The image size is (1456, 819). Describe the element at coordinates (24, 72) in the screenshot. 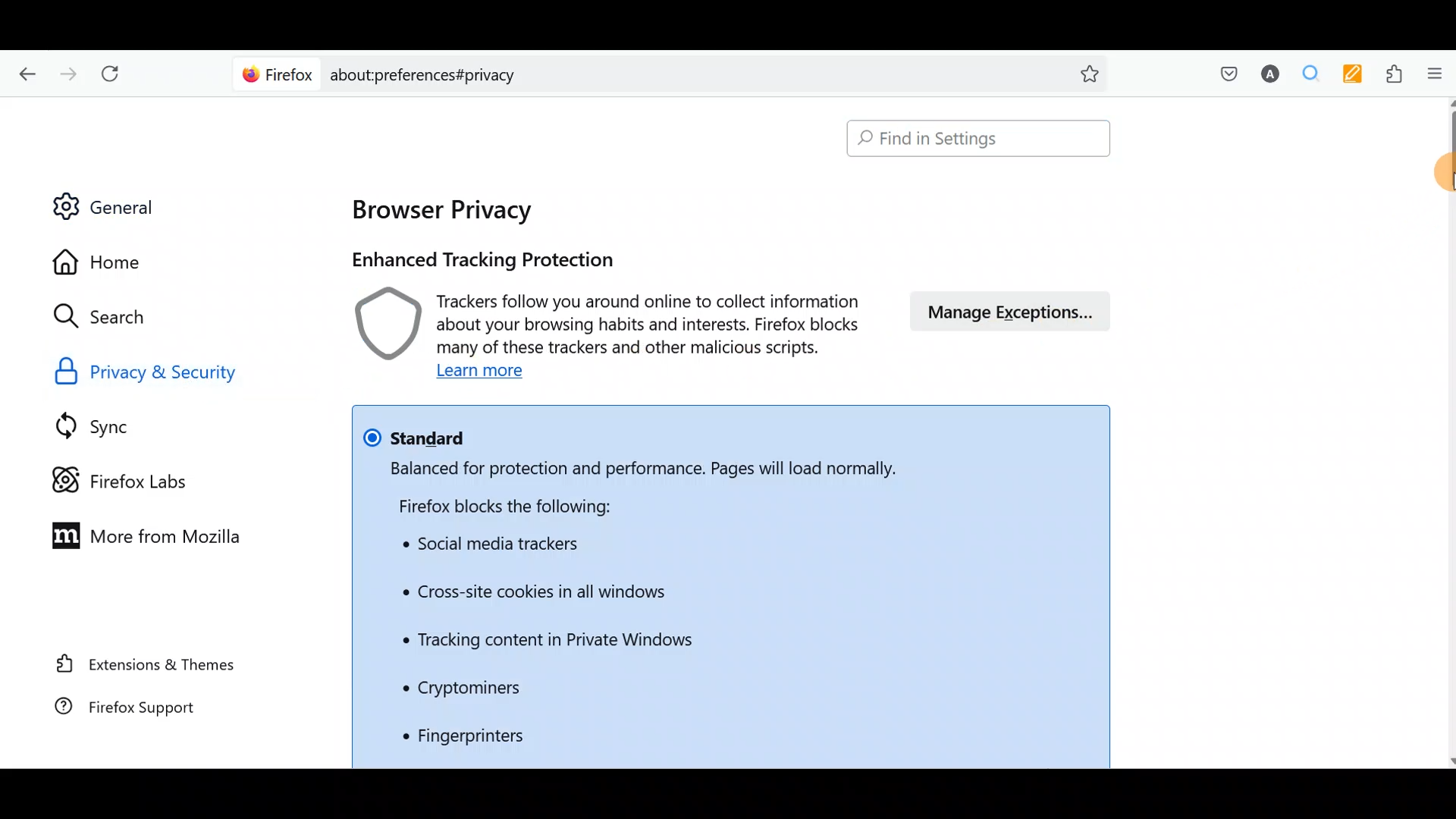

I see `Go back one page` at that location.